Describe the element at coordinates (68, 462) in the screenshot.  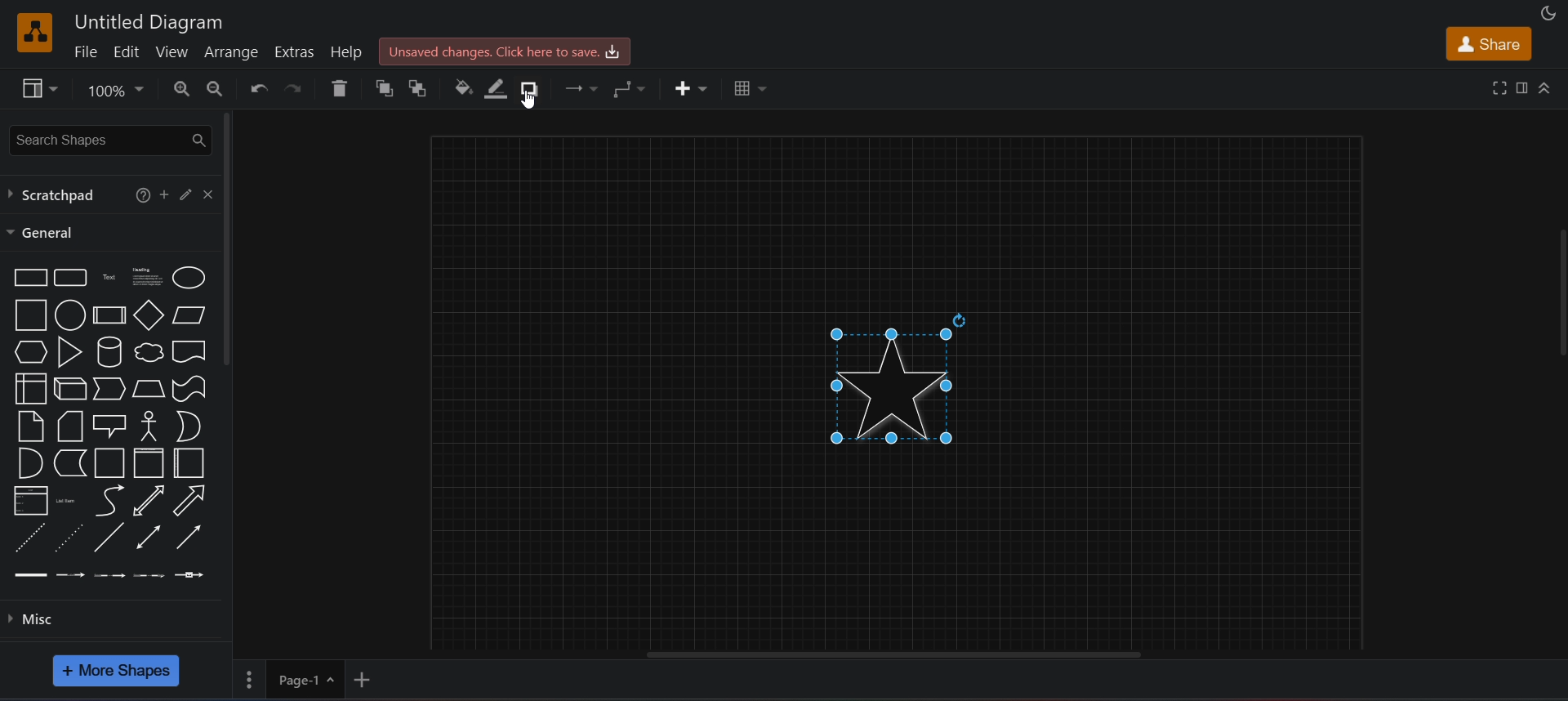
I see `data storage` at that location.